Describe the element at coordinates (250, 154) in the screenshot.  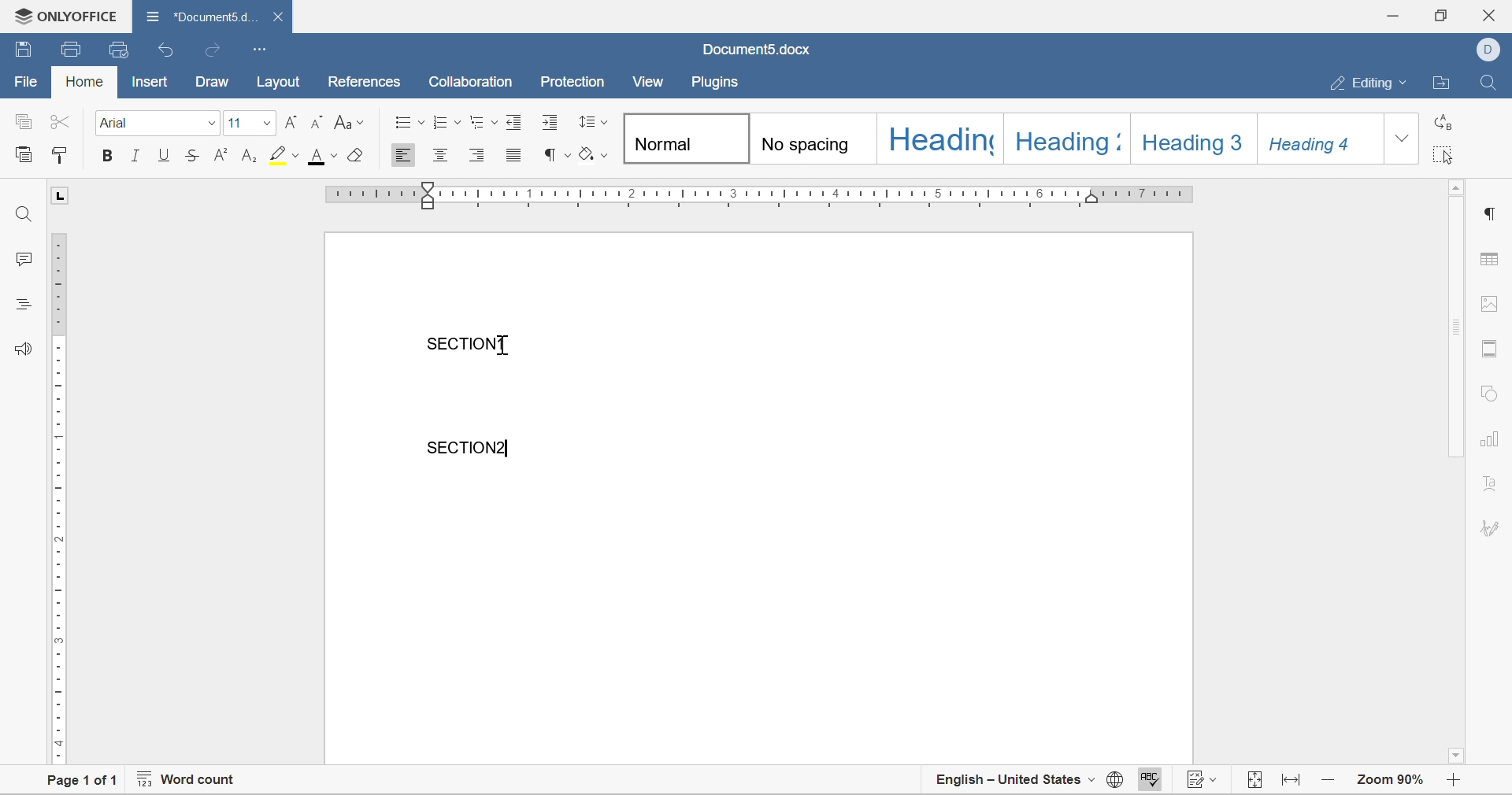
I see `subscript` at that location.